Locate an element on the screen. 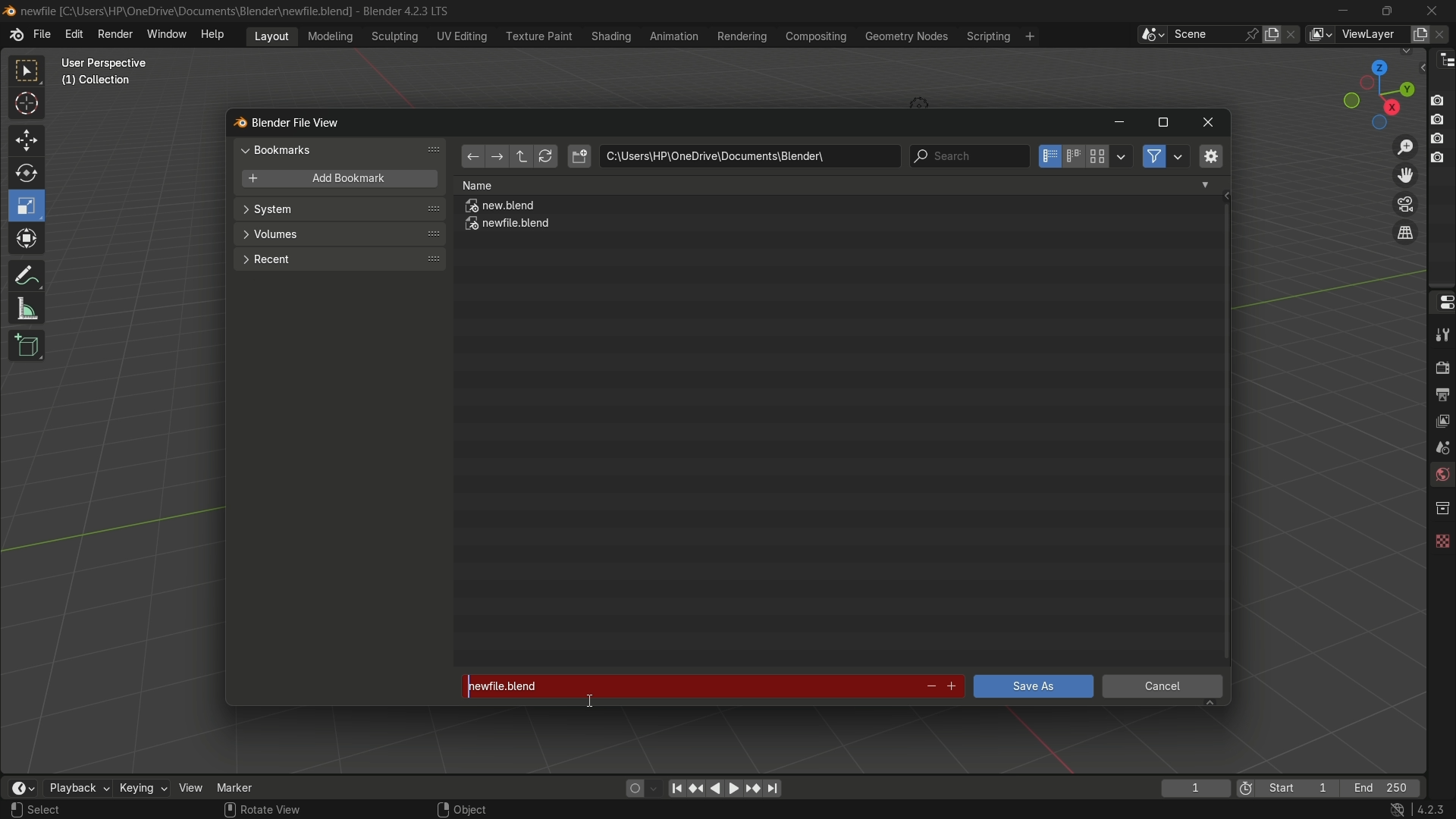 The width and height of the screenshot is (1456, 819). output is located at coordinates (1442, 394).